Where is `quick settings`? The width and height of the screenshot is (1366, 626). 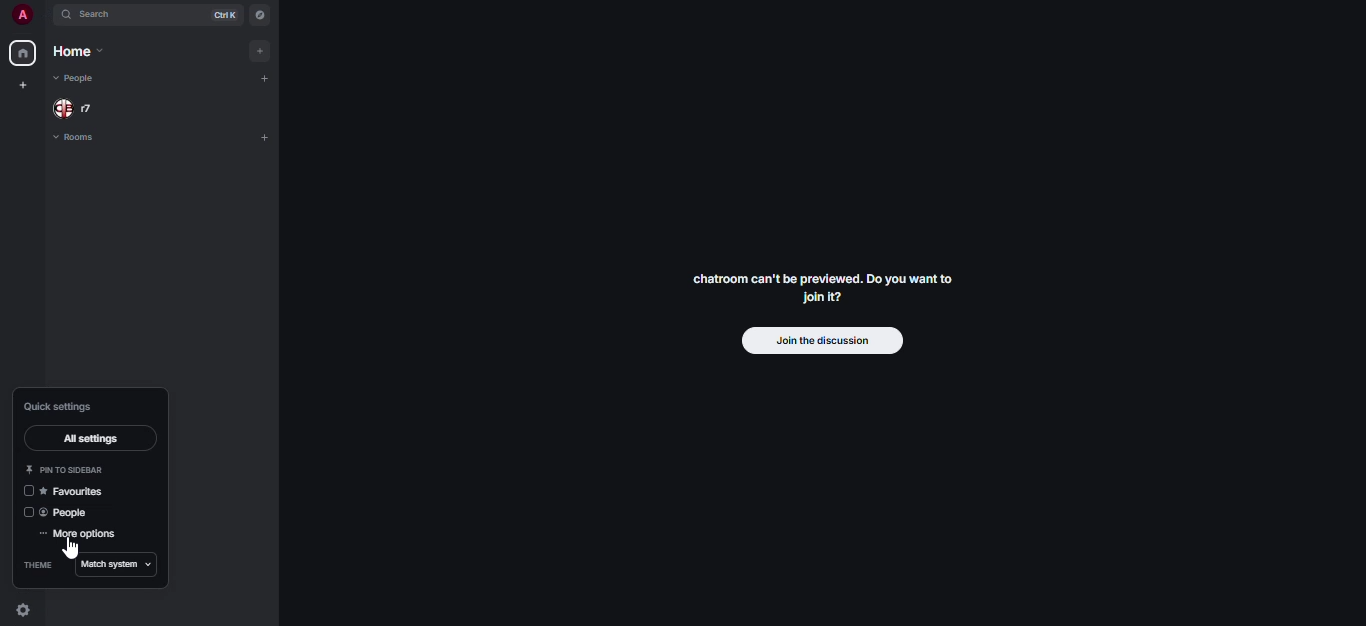 quick settings is located at coordinates (25, 610).